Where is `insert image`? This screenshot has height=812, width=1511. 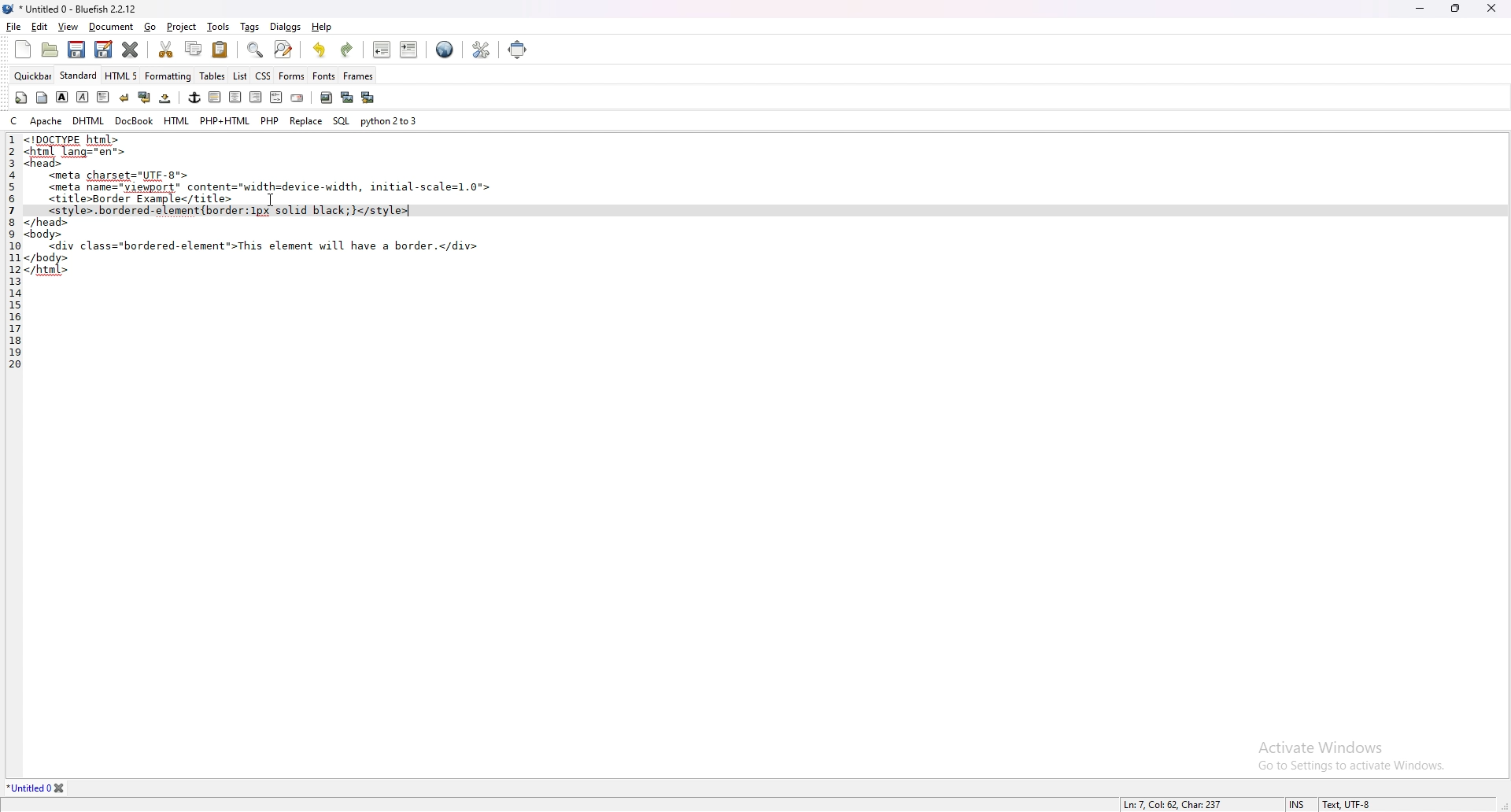 insert image is located at coordinates (327, 98).